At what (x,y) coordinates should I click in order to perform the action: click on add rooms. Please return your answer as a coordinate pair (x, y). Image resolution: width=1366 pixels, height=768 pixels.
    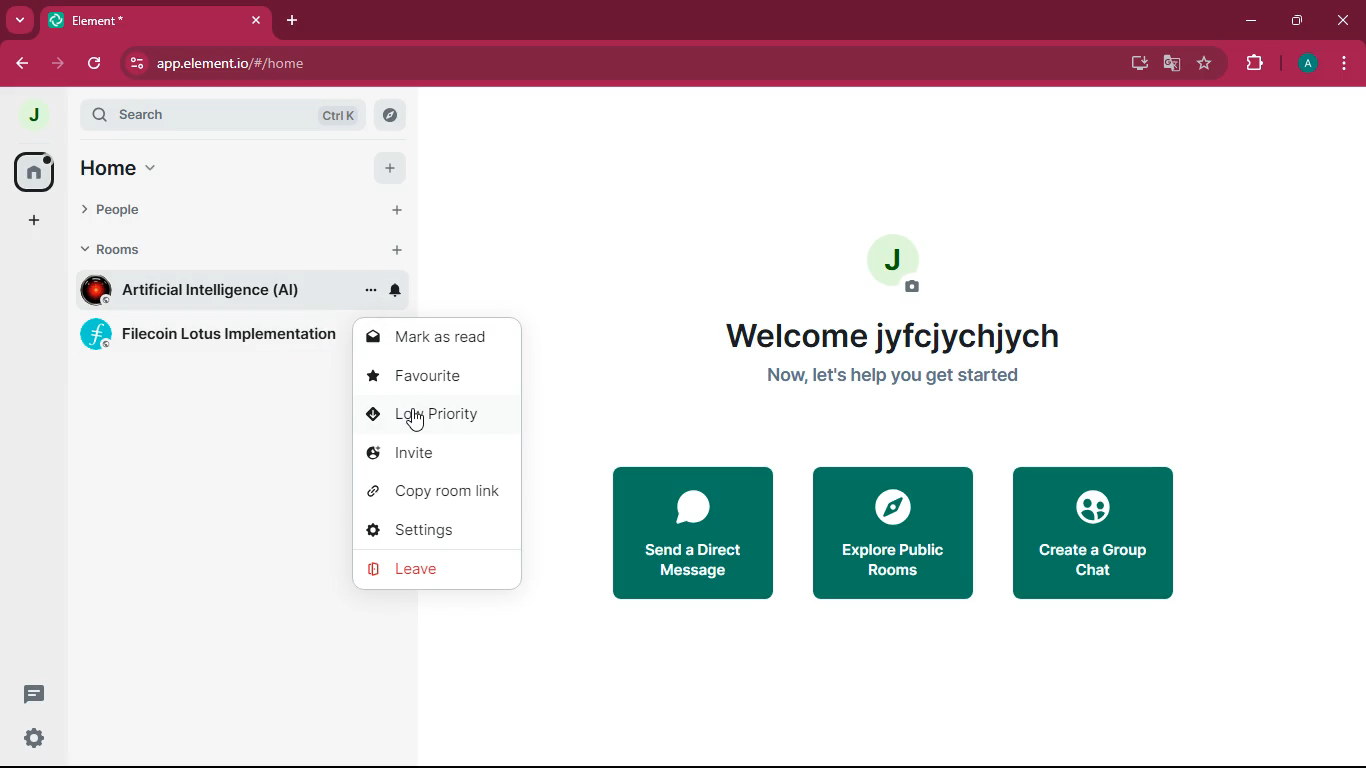
    Looking at the image, I should click on (400, 250).